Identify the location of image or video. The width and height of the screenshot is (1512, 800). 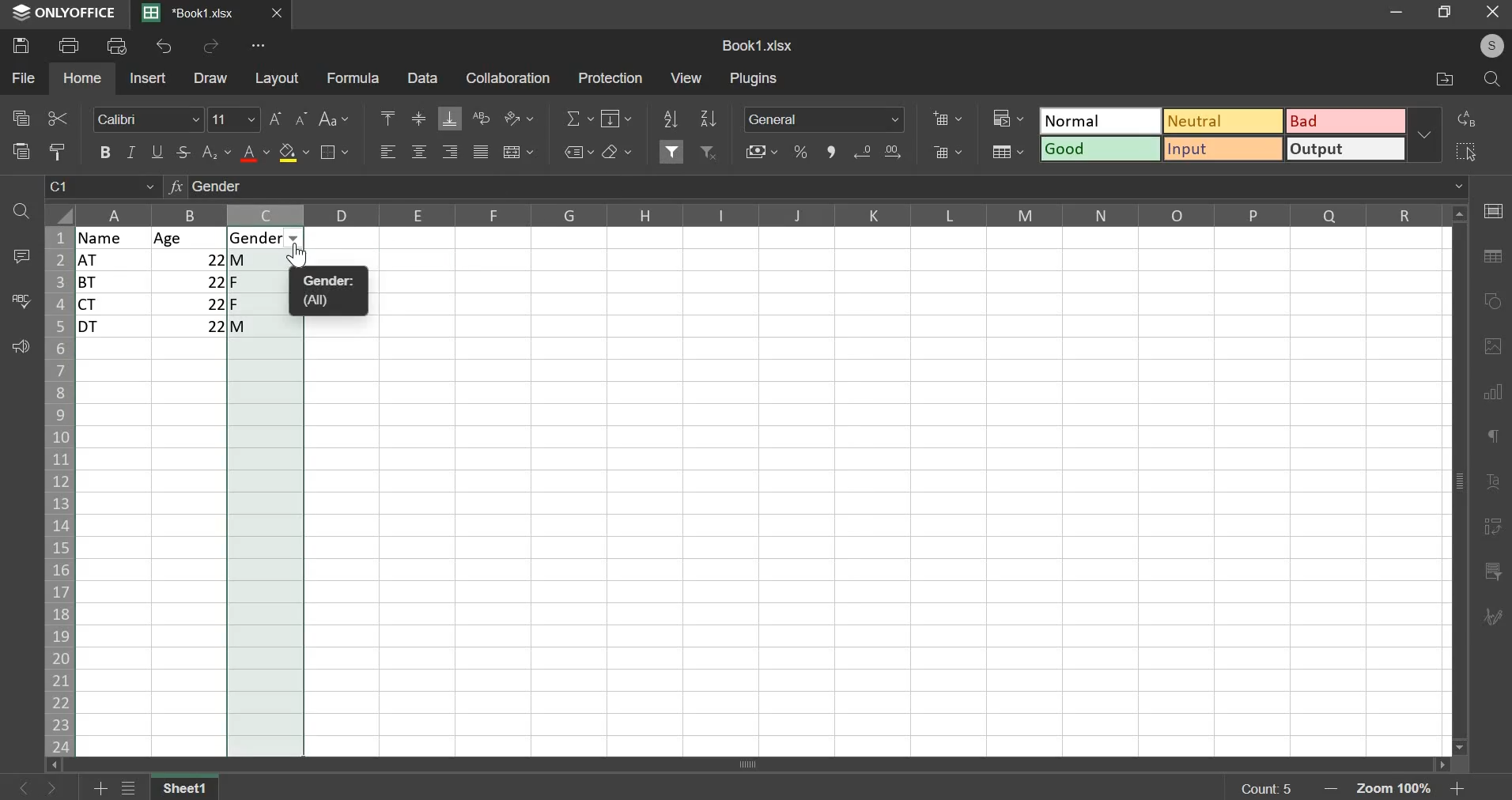
(1490, 349).